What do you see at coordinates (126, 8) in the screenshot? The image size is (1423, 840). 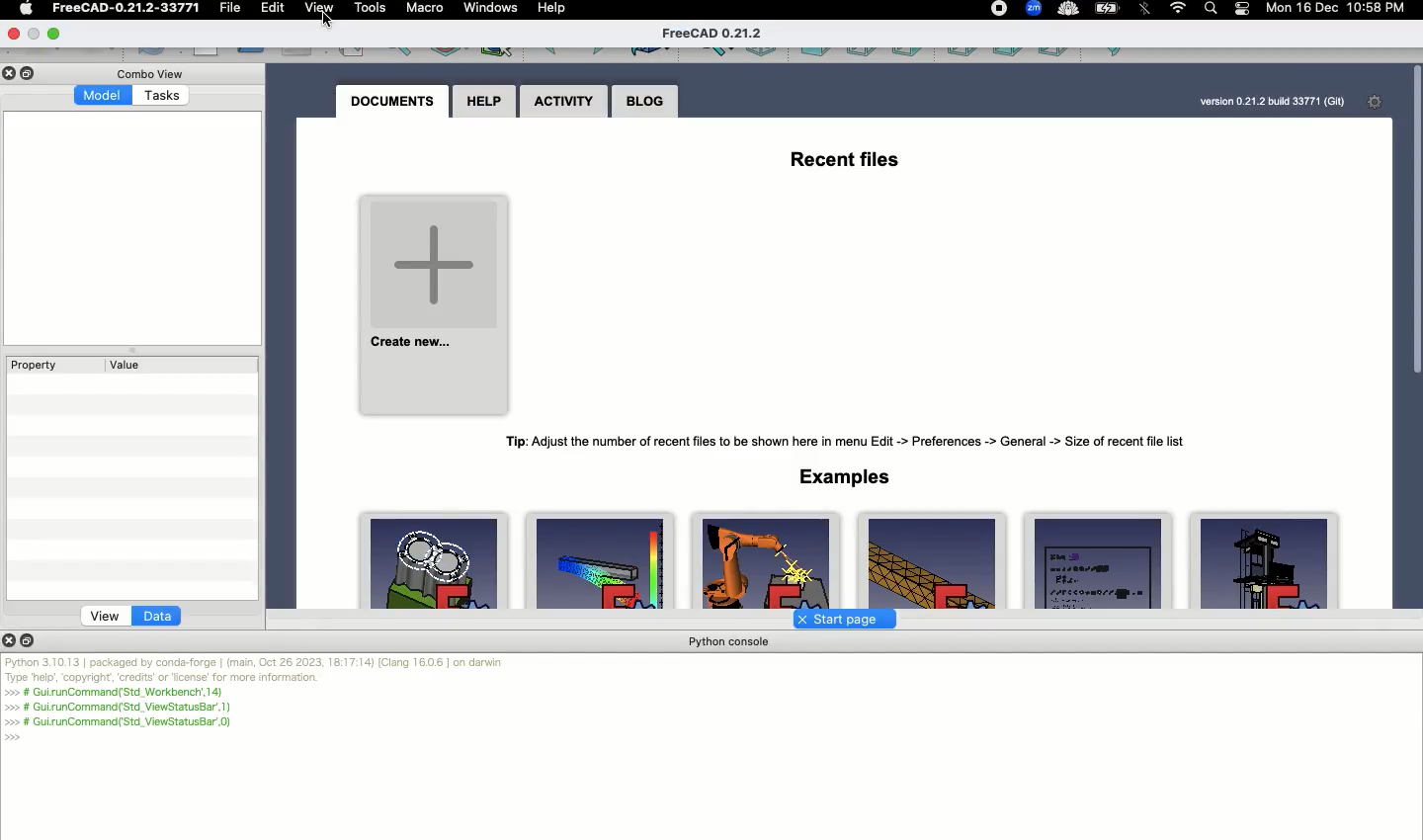 I see `FreeCAD-0.21.2033771` at bounding box center [126, 8].